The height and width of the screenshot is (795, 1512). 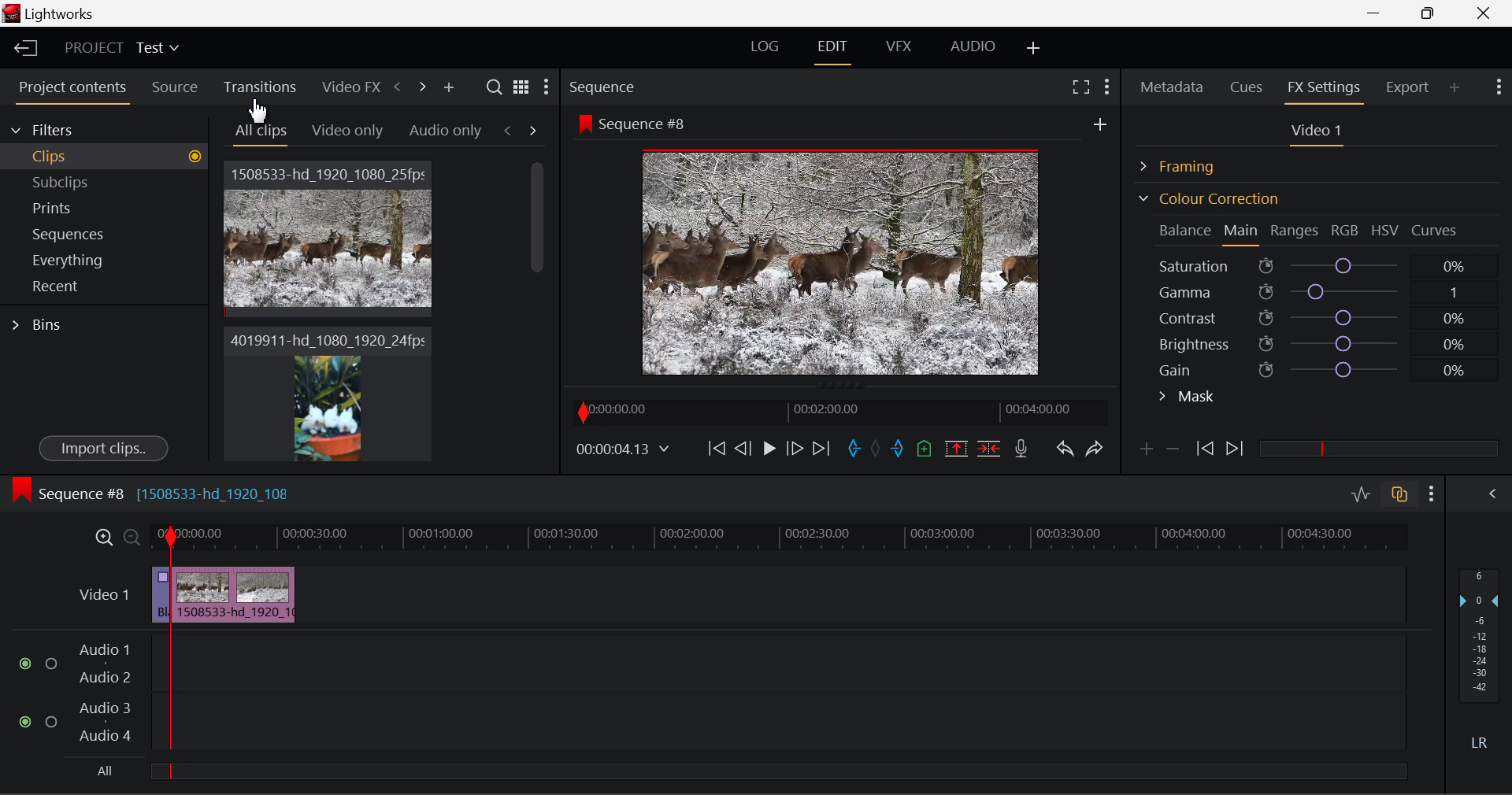 I want to click on slider, so click(x=1378, y=448).